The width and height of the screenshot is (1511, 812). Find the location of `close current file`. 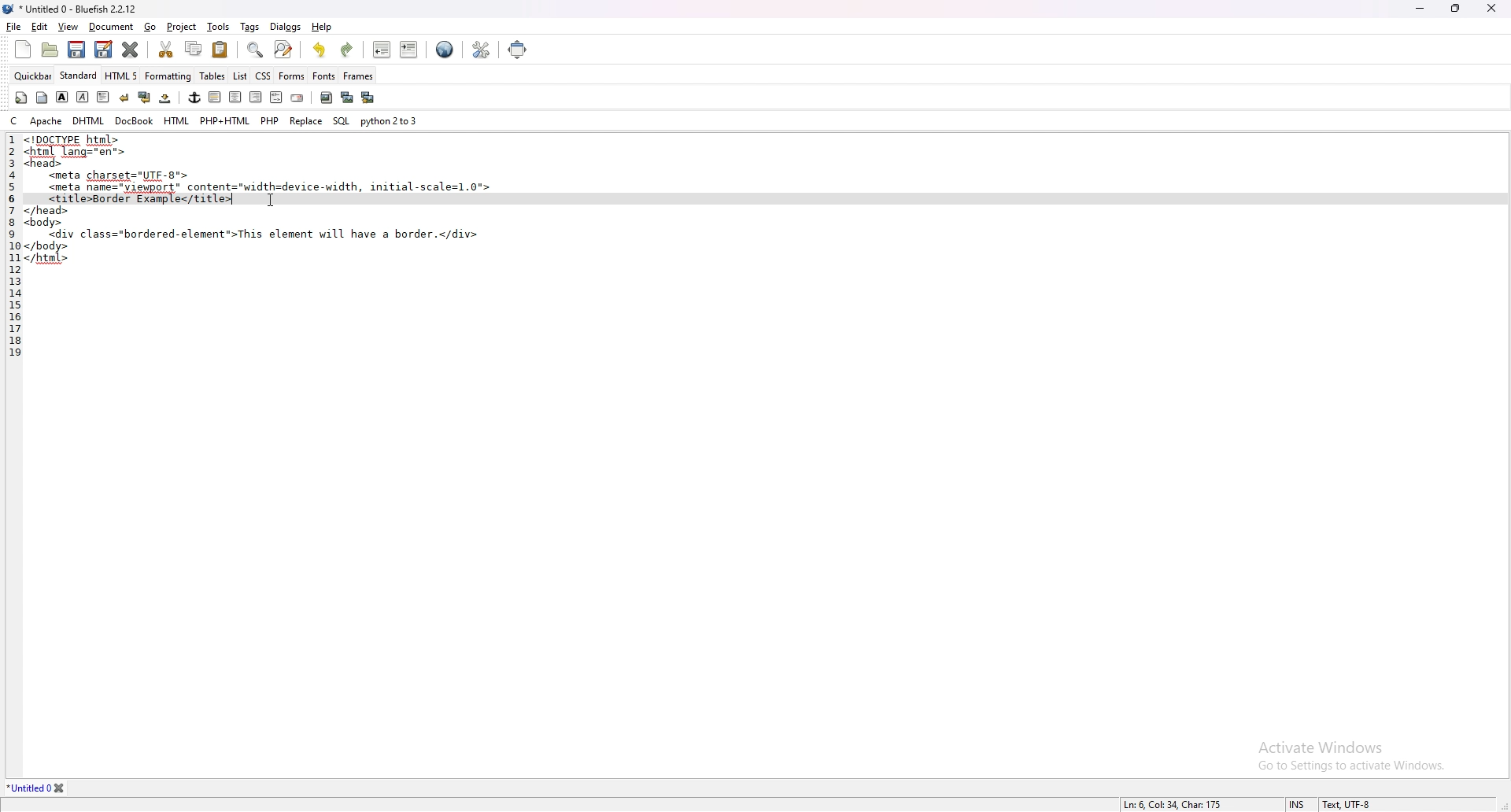

close current file is located at coordinates (130, 49).